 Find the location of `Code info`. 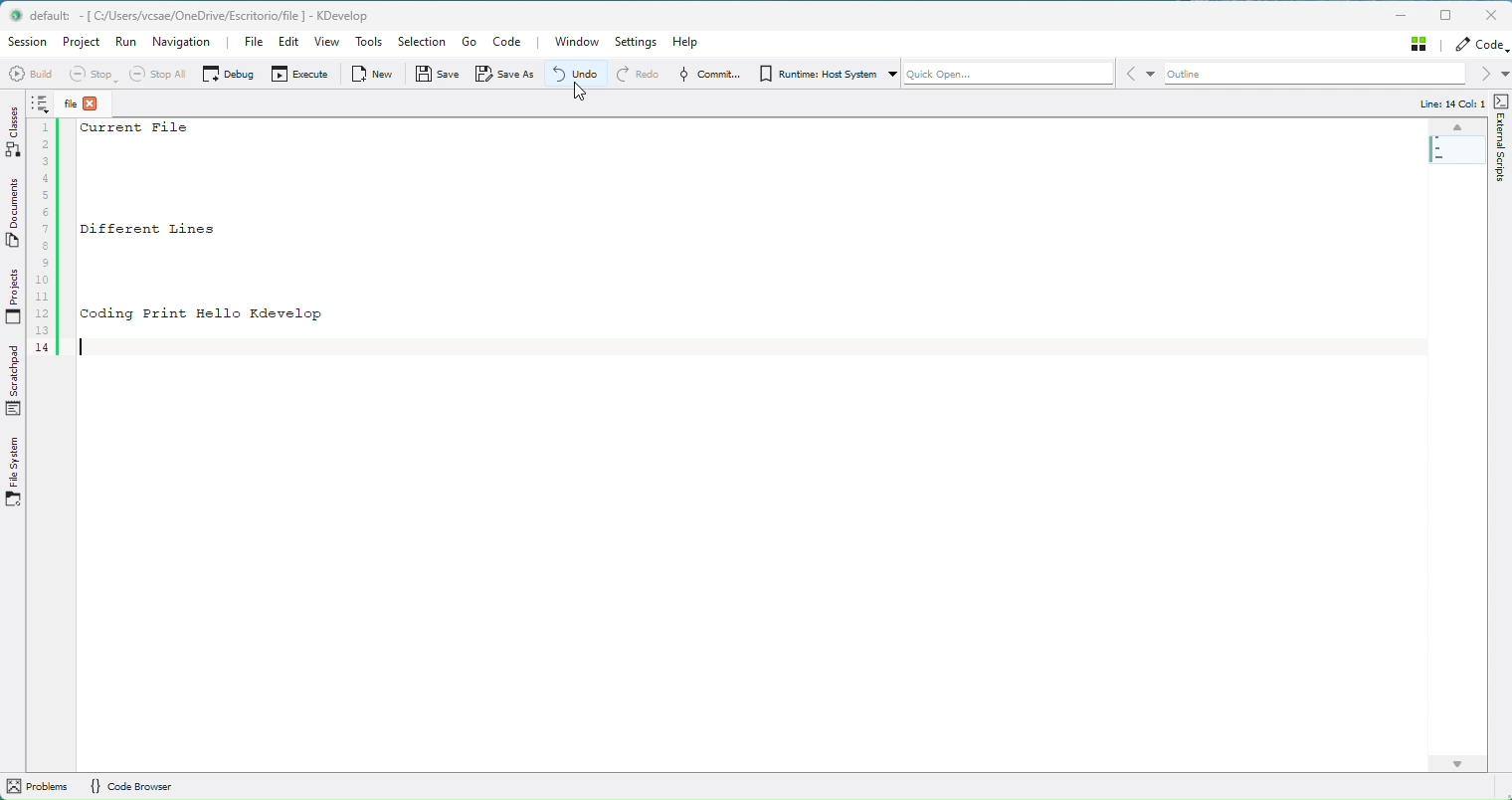

Code info is located at coordinates (1459, 105).